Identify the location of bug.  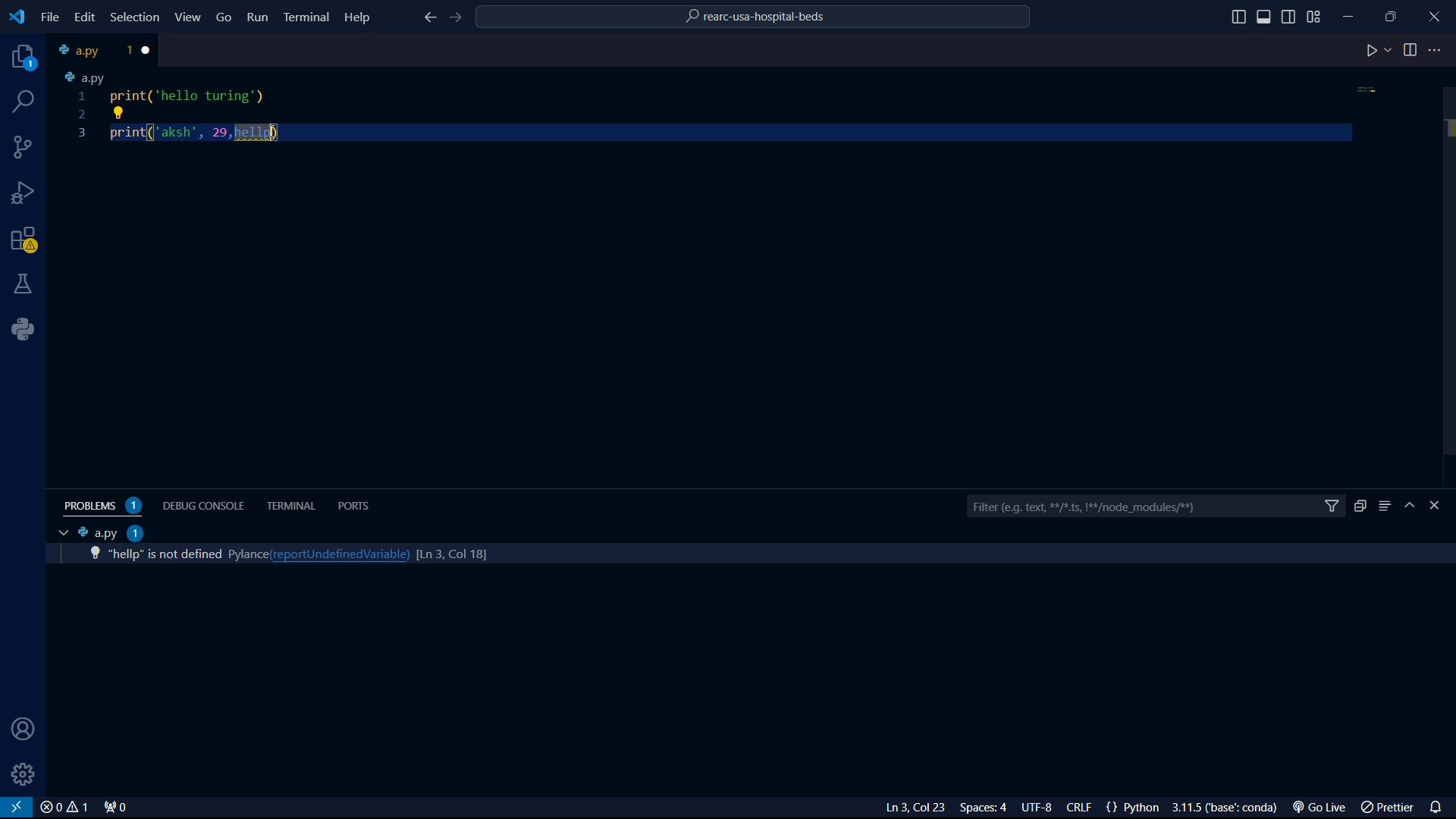
(27, 190).